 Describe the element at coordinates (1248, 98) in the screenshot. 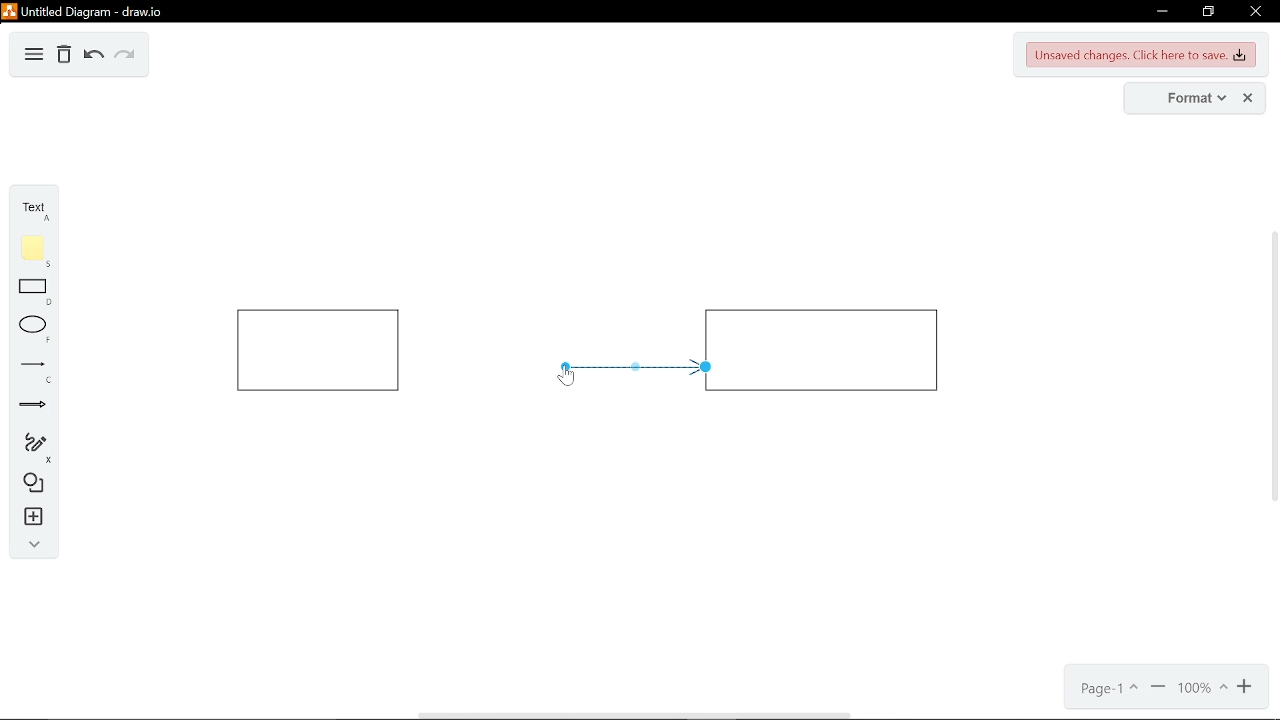

I see `close` at that location.